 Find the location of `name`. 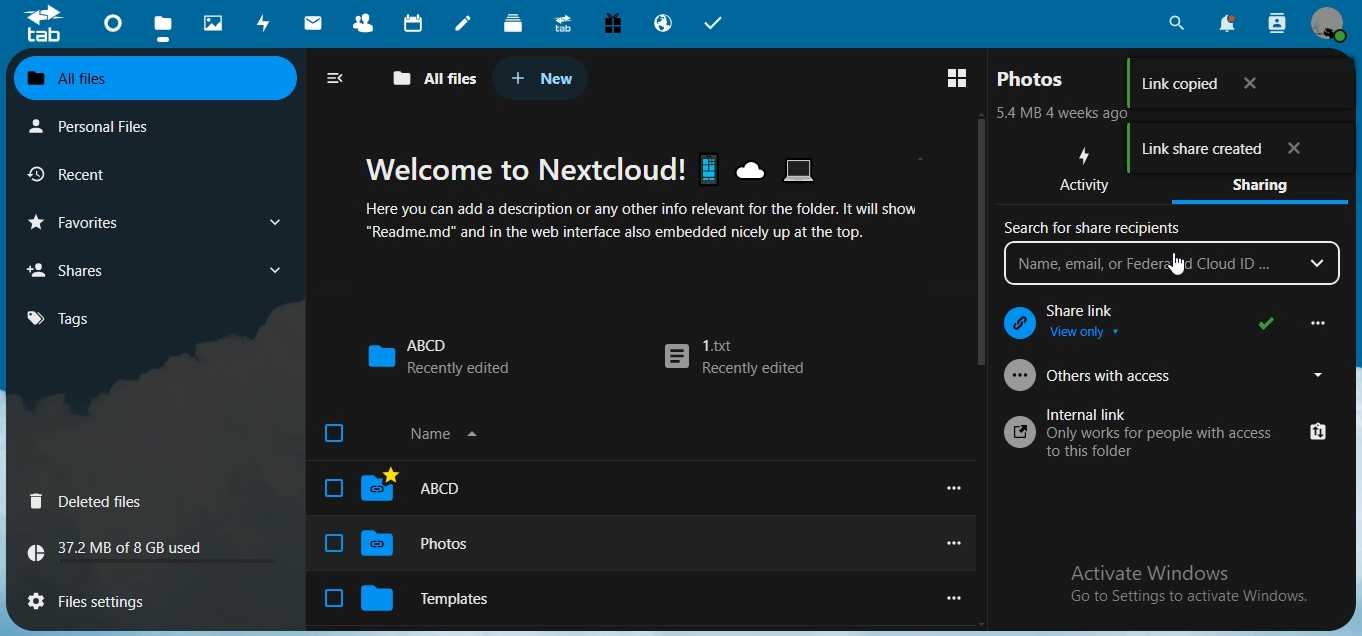

name is located at coordinates (475, 436).